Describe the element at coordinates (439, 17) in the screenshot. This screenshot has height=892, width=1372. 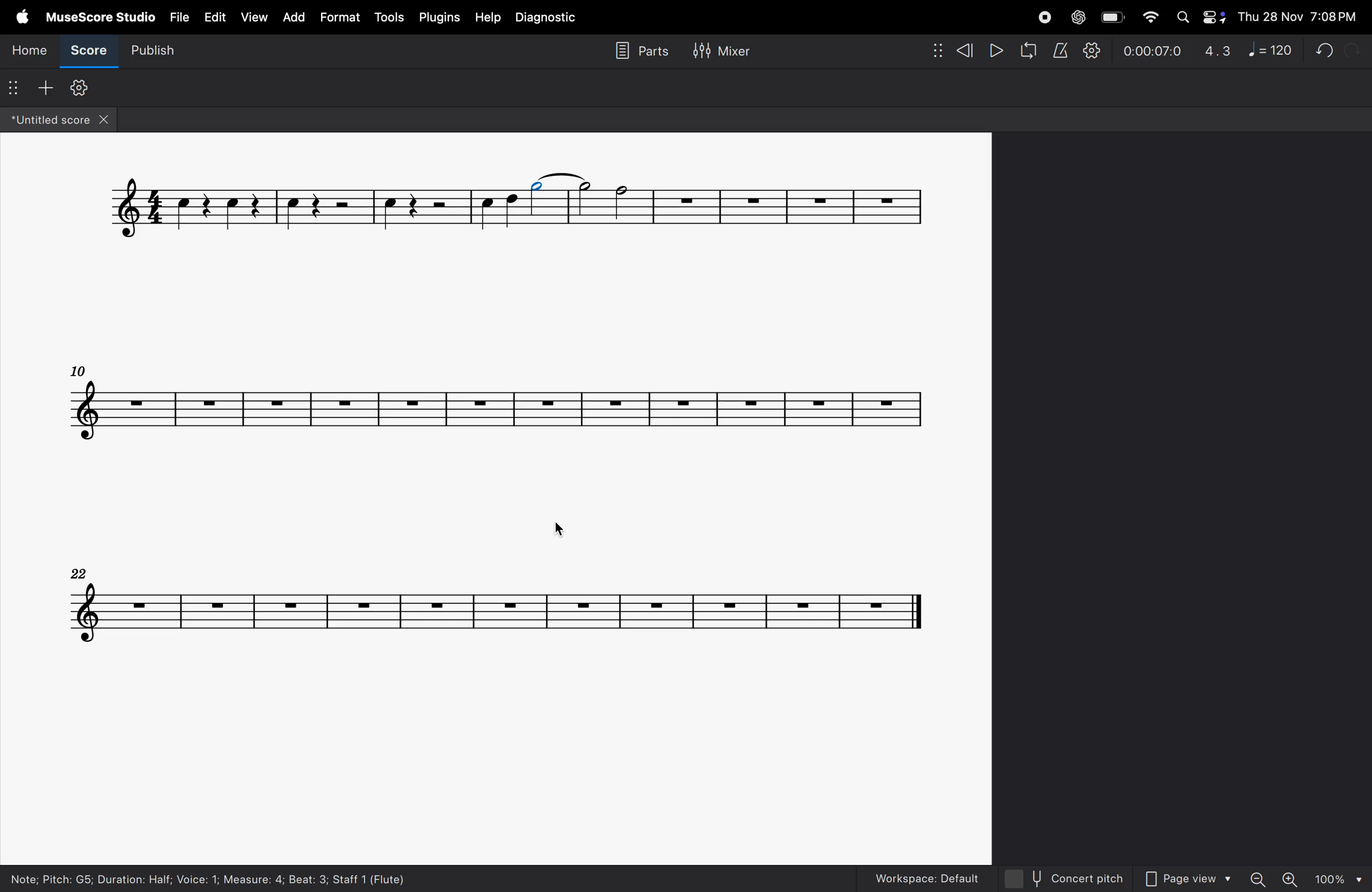
I see `plugins` at that location.